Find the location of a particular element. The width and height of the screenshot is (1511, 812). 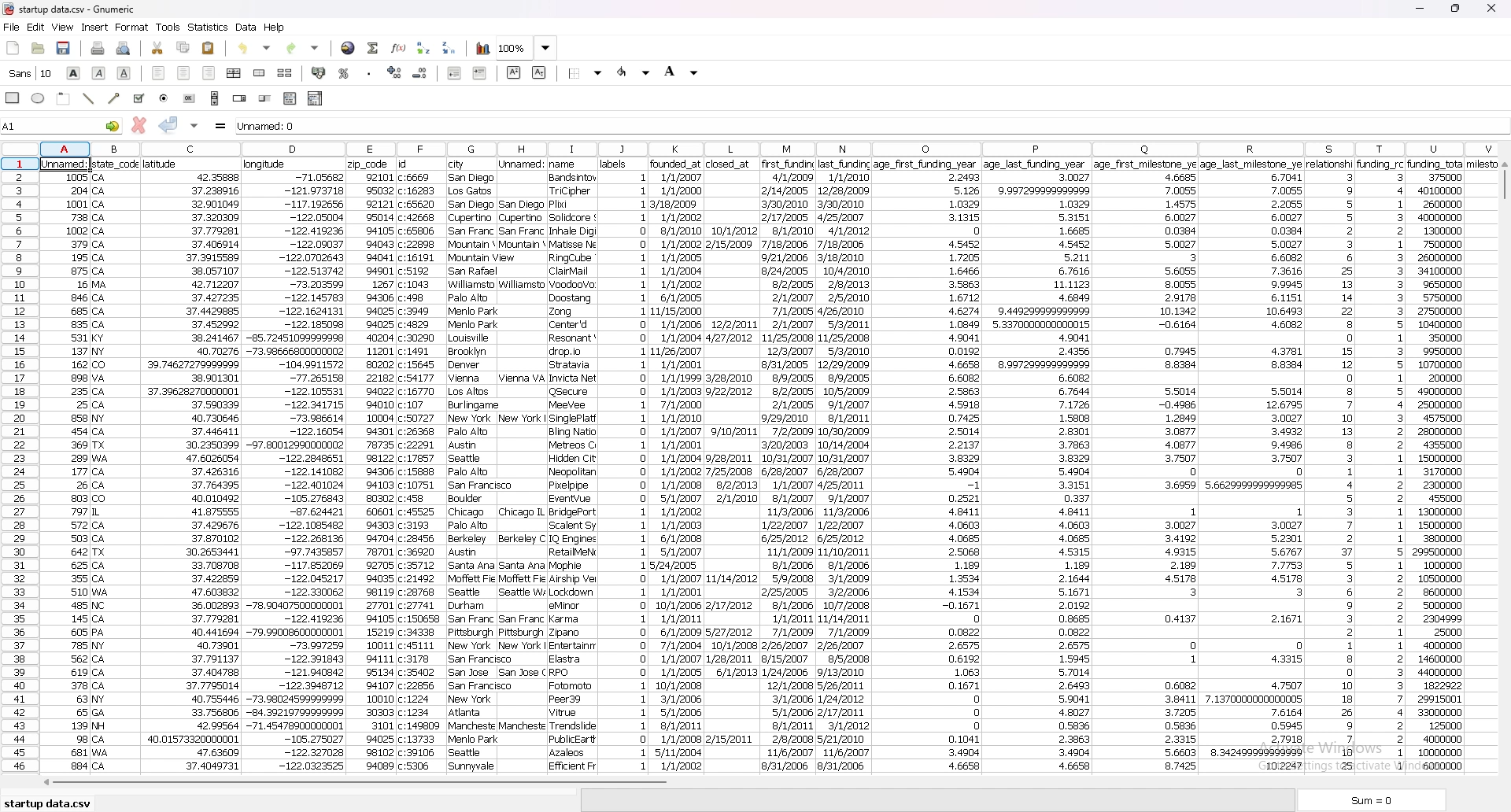

hyperlink is located at coordinates (347, 48).